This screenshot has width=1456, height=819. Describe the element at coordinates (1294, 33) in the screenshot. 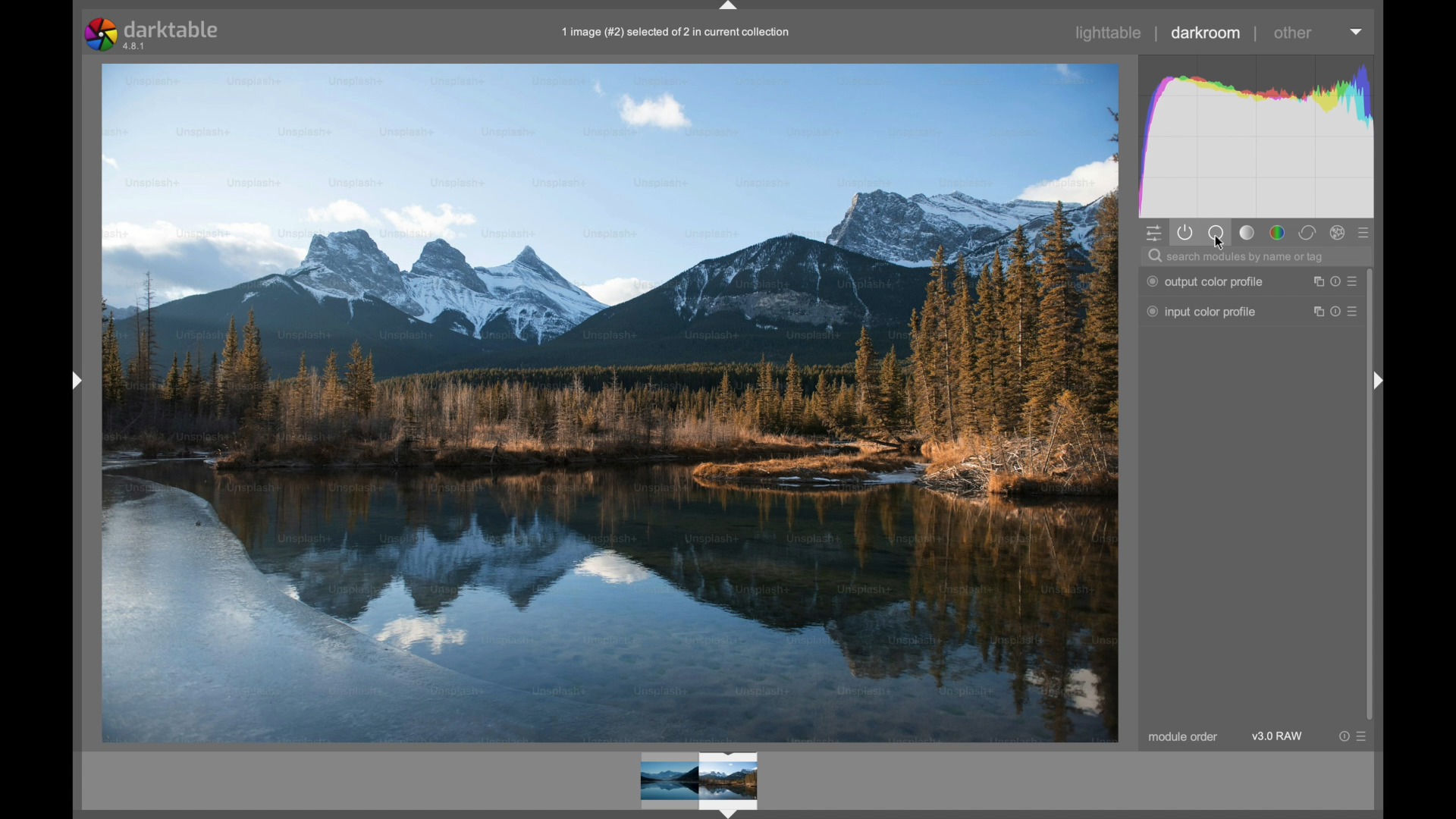

I see `other` at that location.